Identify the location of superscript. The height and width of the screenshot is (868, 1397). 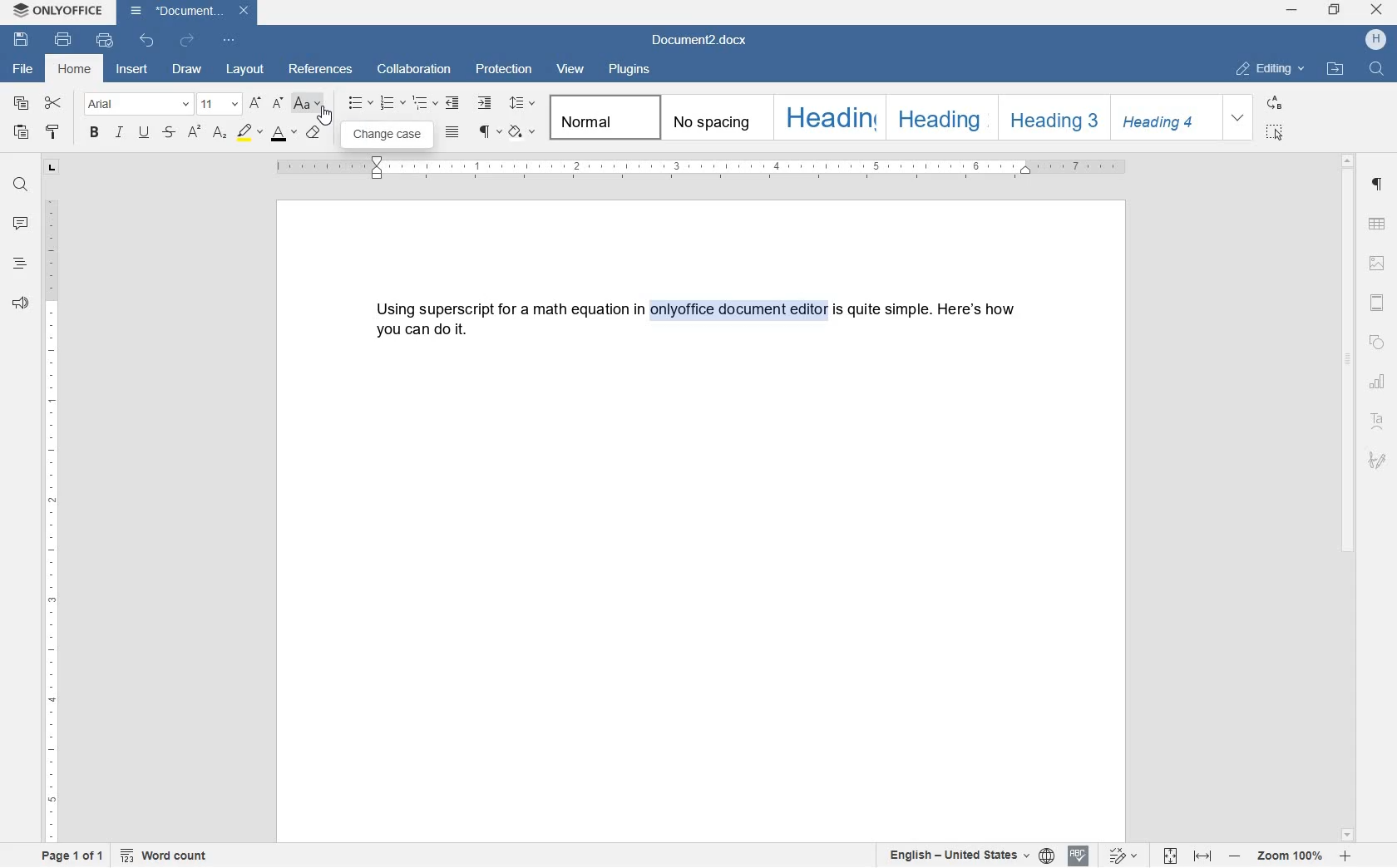
(195, 132).